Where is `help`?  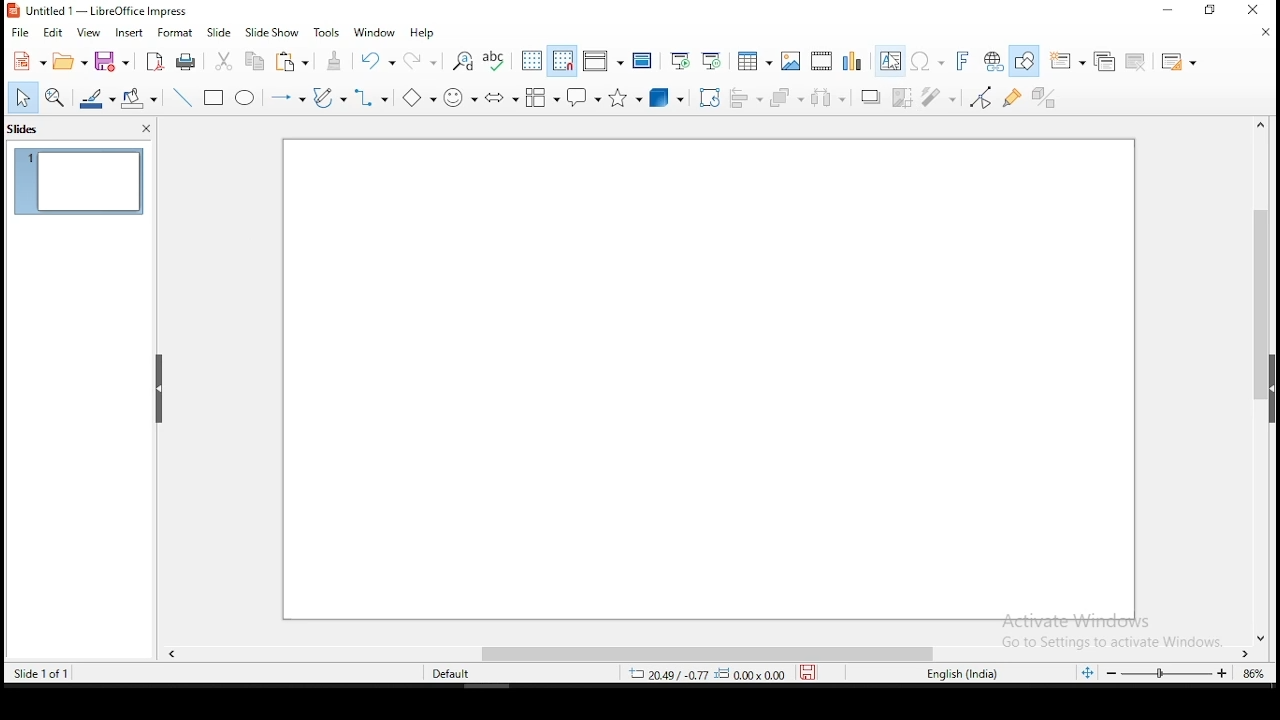
help is located at coordinates (424, 30).